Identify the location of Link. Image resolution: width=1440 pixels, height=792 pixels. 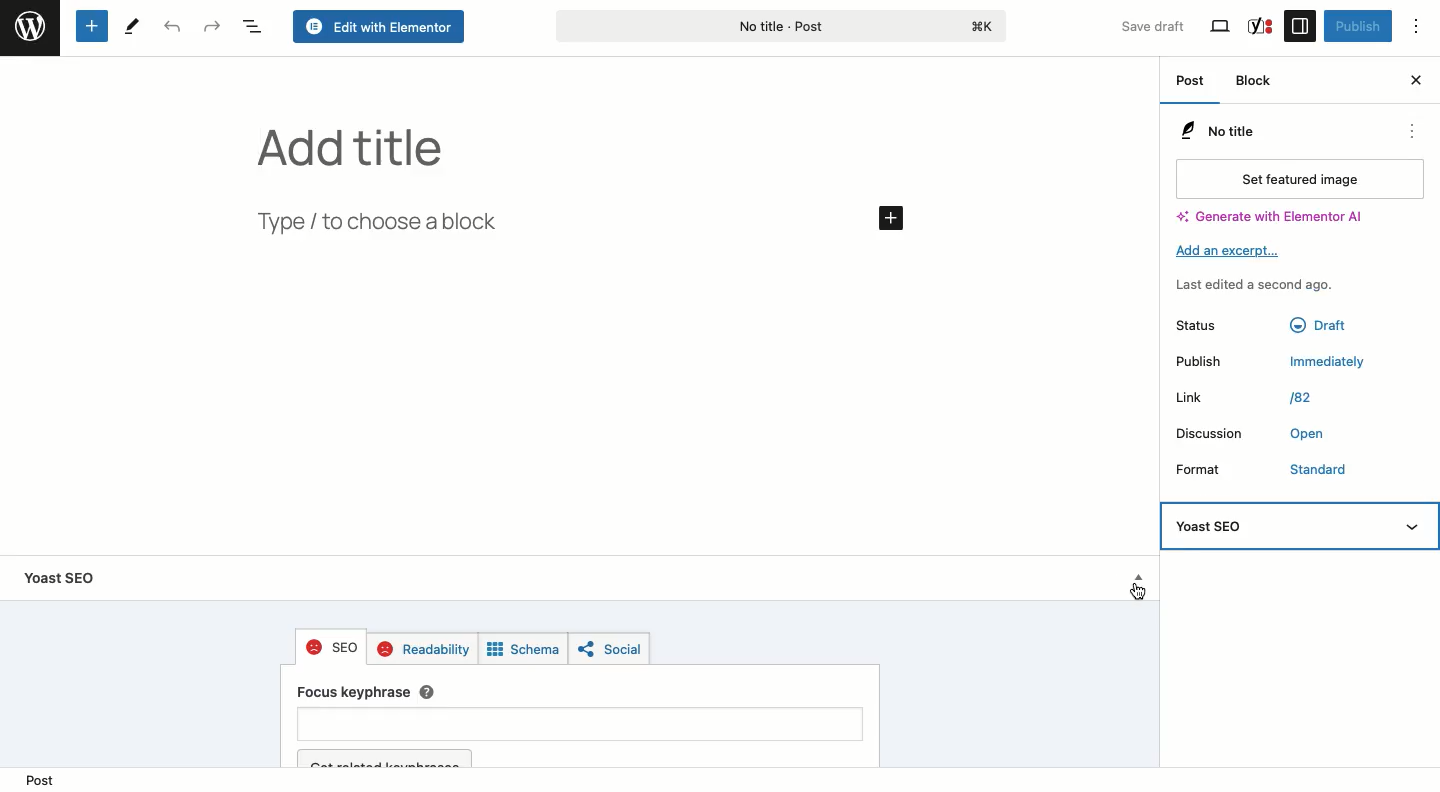
(1192, 398).